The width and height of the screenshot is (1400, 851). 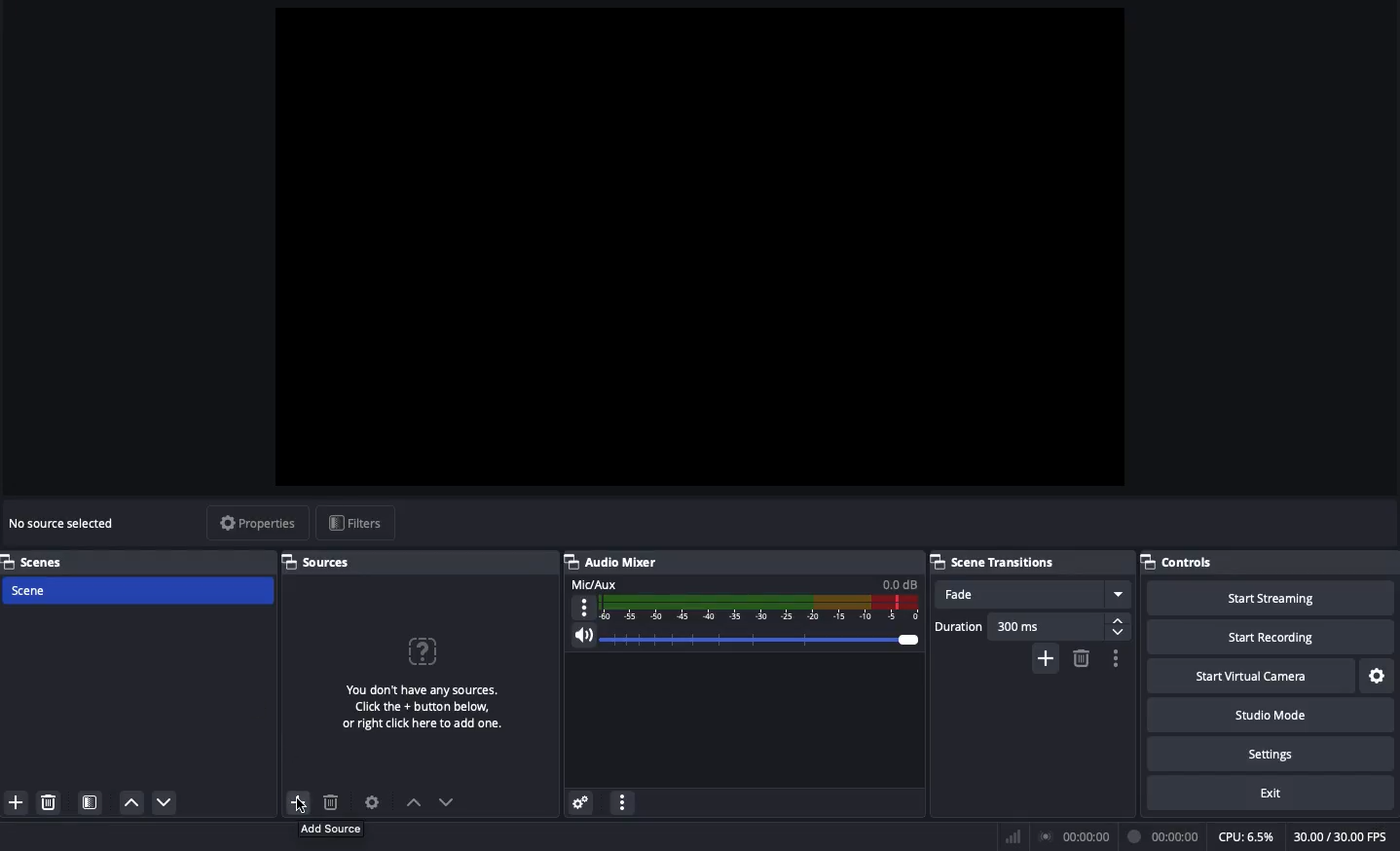 I want to click on Properties, so click(x=258, y=524).